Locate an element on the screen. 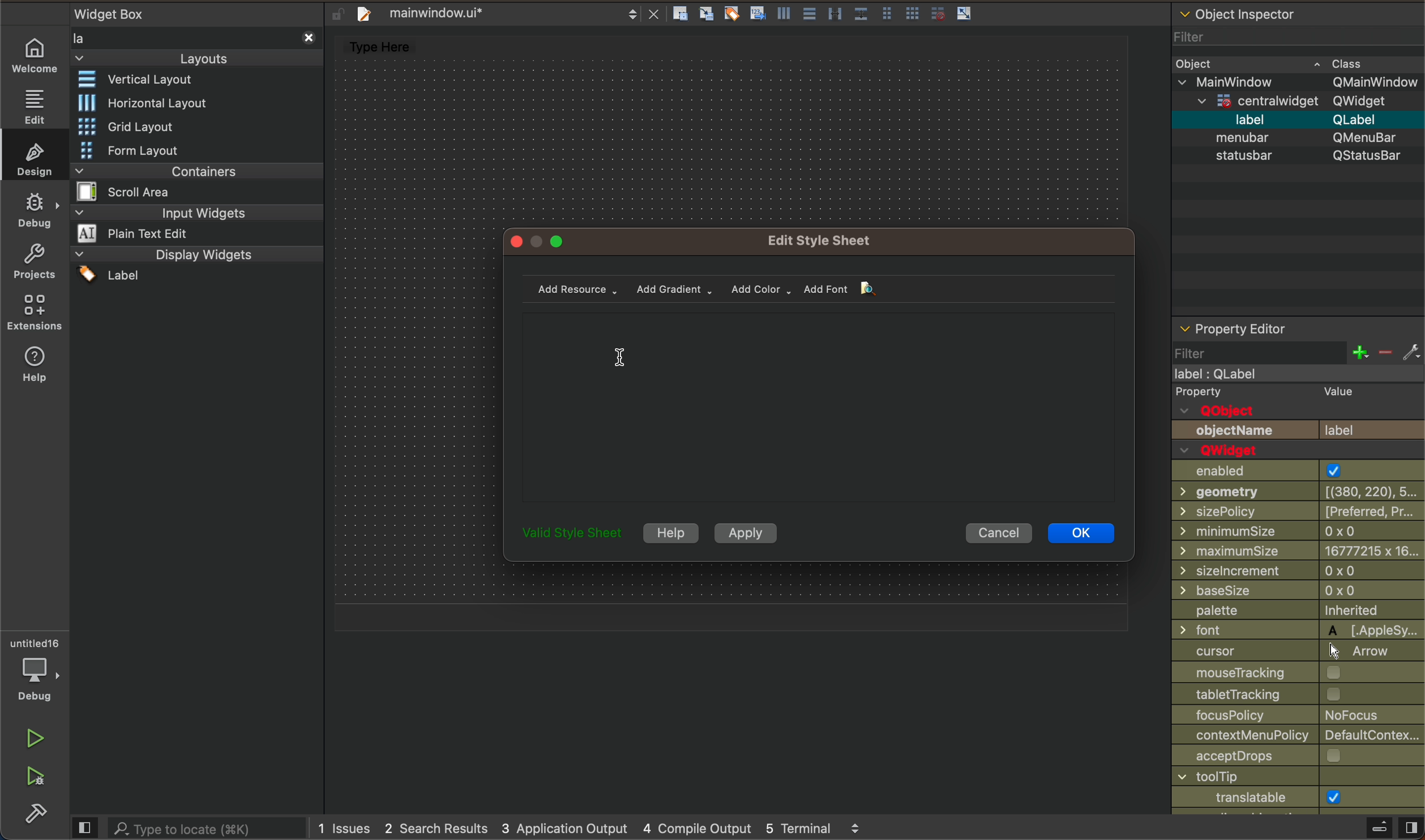  windowicon is located at coordinates (1234, 798).